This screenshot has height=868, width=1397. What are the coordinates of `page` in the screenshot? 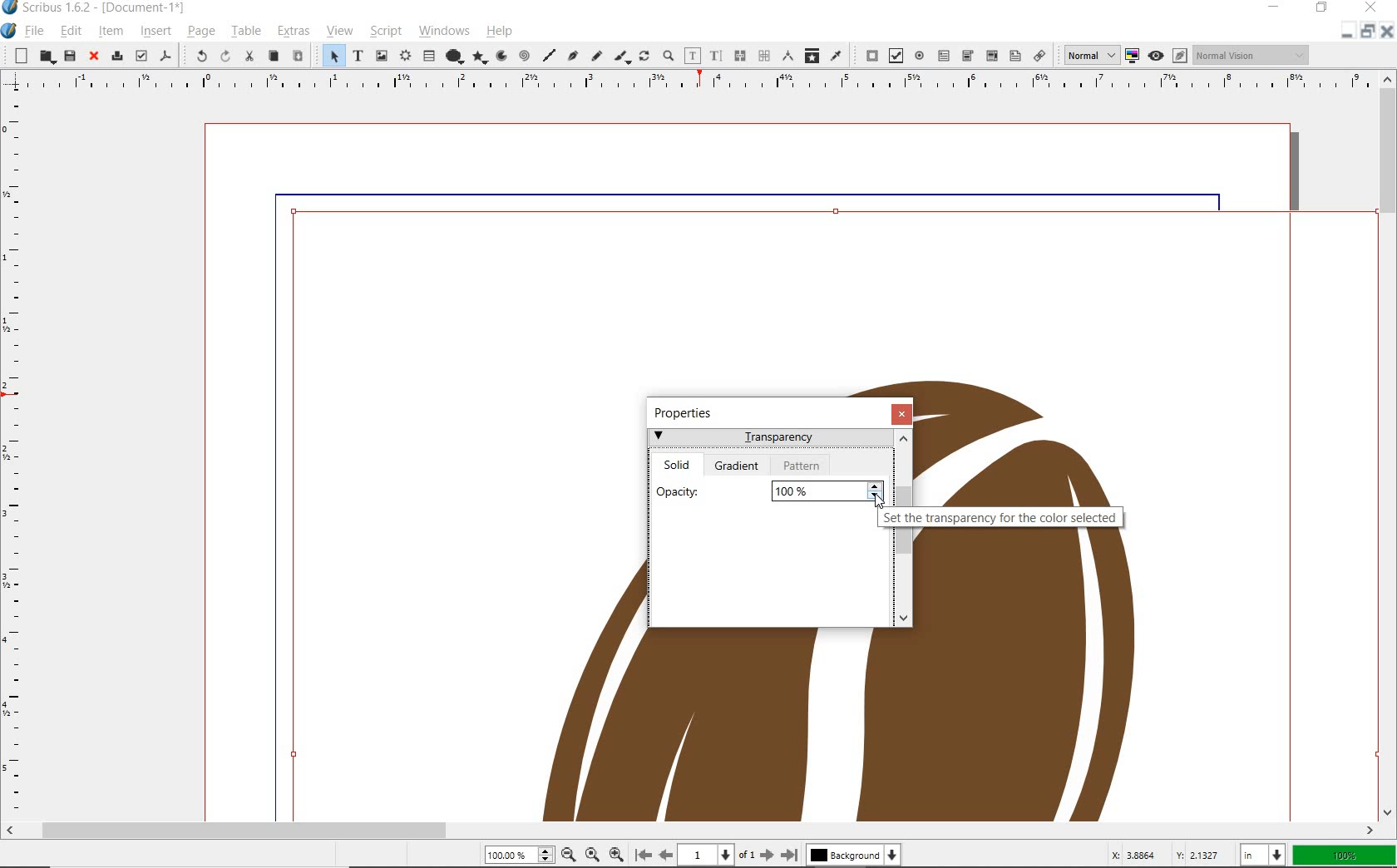 It's located at (200, 32).